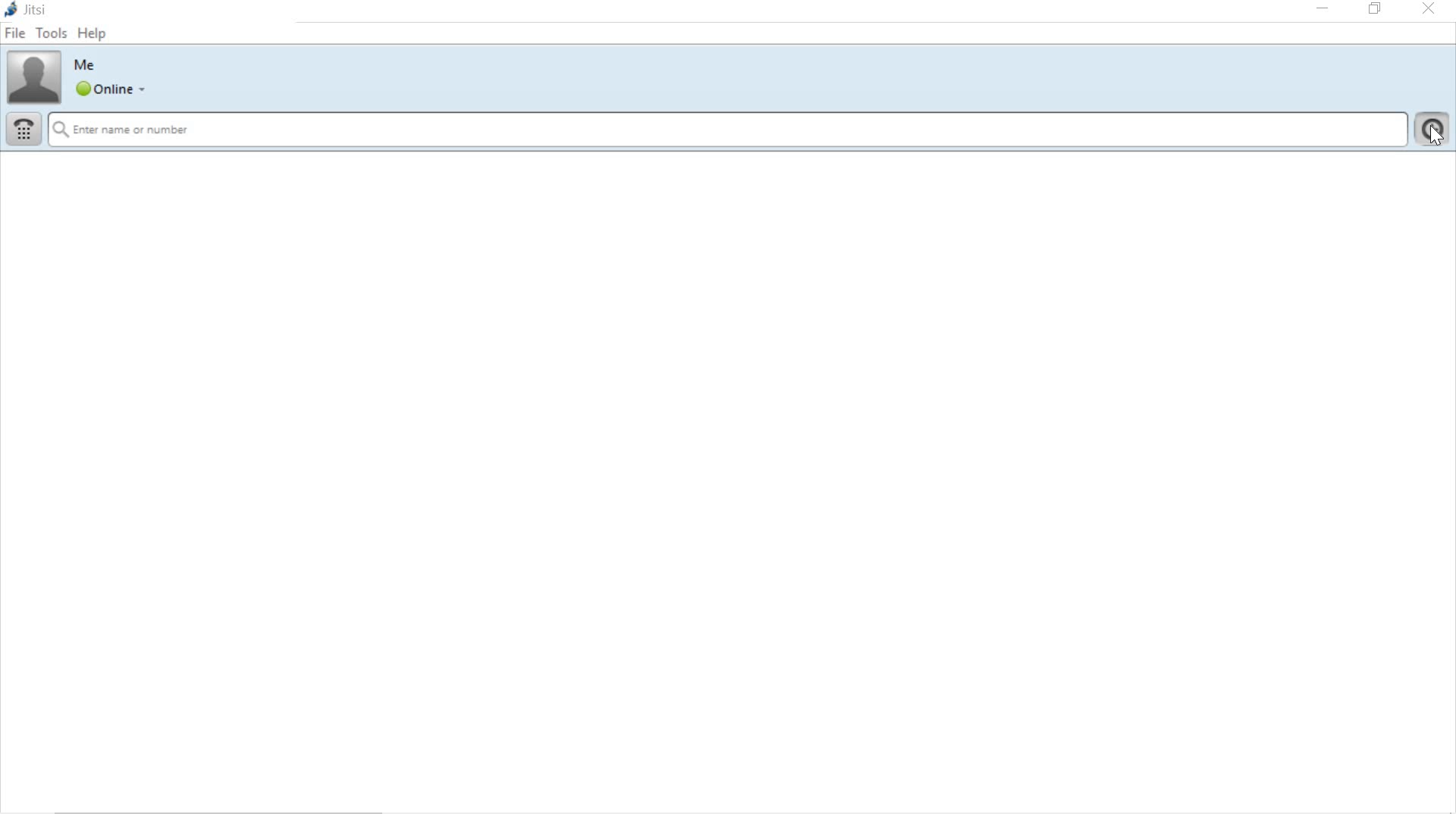 The image size is (1456, 814). Describe the element at coordinates (24, 130) in the screenshot. I see `dial pad` at that location.